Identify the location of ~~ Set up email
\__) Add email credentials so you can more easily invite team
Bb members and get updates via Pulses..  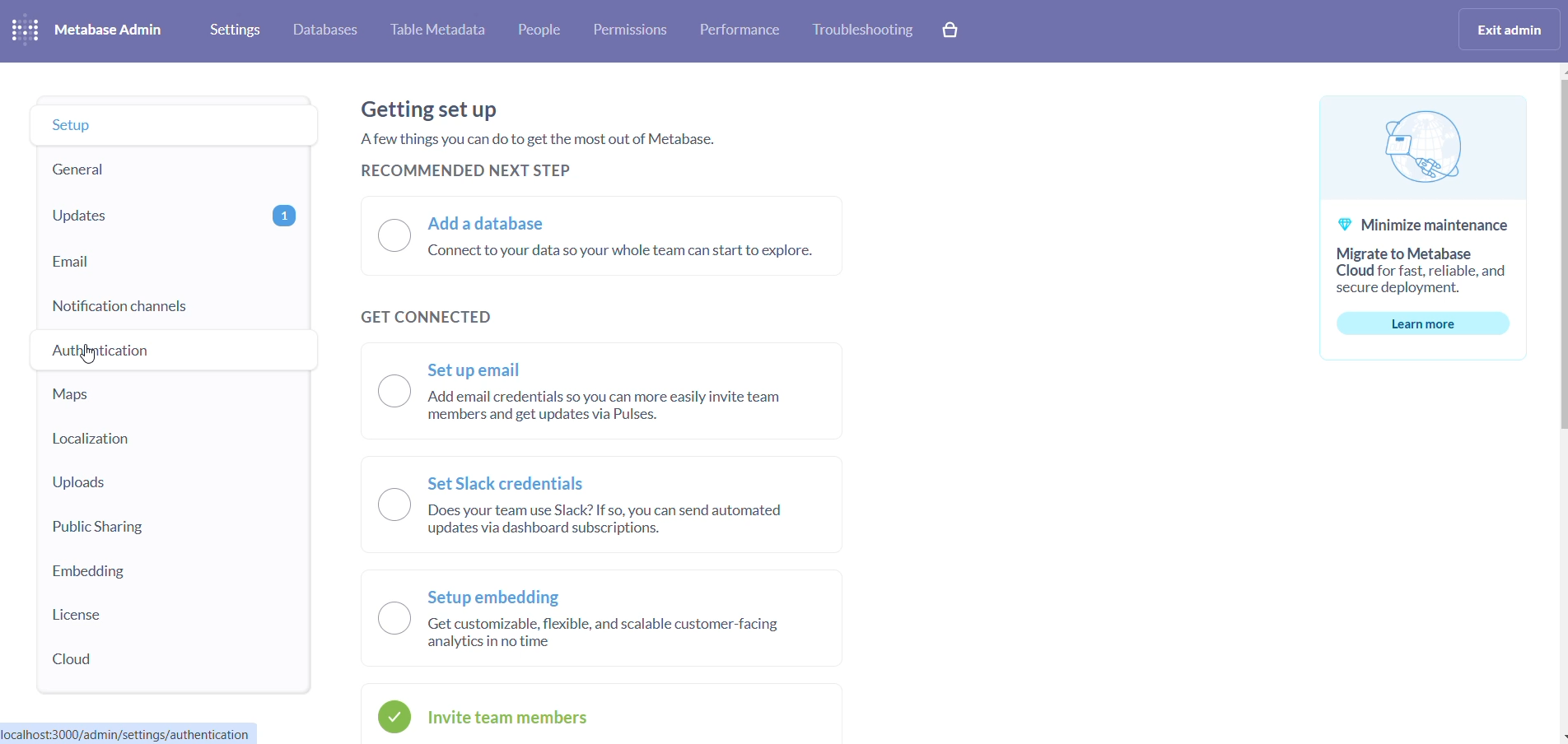
(592, 391).